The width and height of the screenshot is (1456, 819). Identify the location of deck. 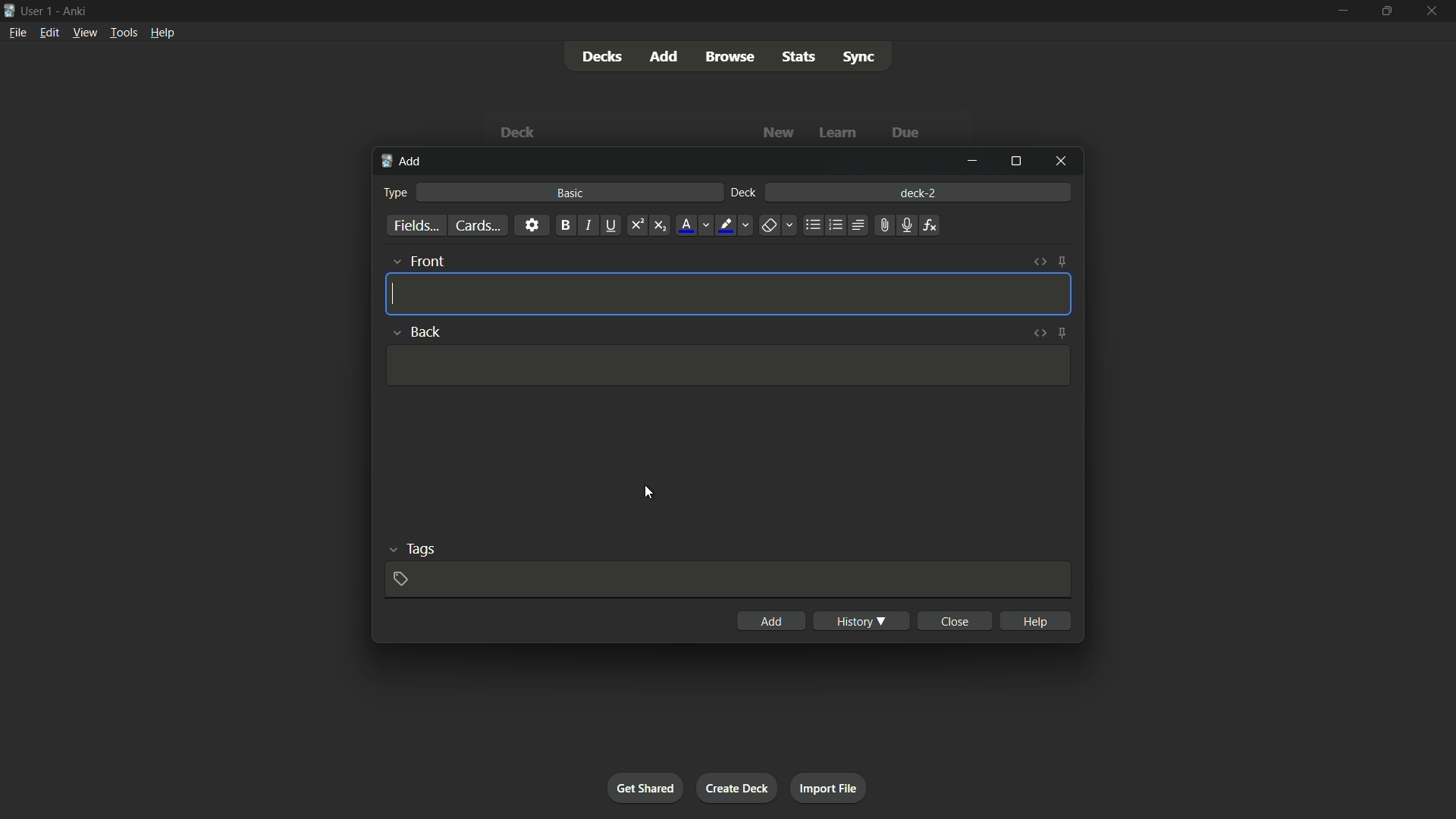
(745, 193).